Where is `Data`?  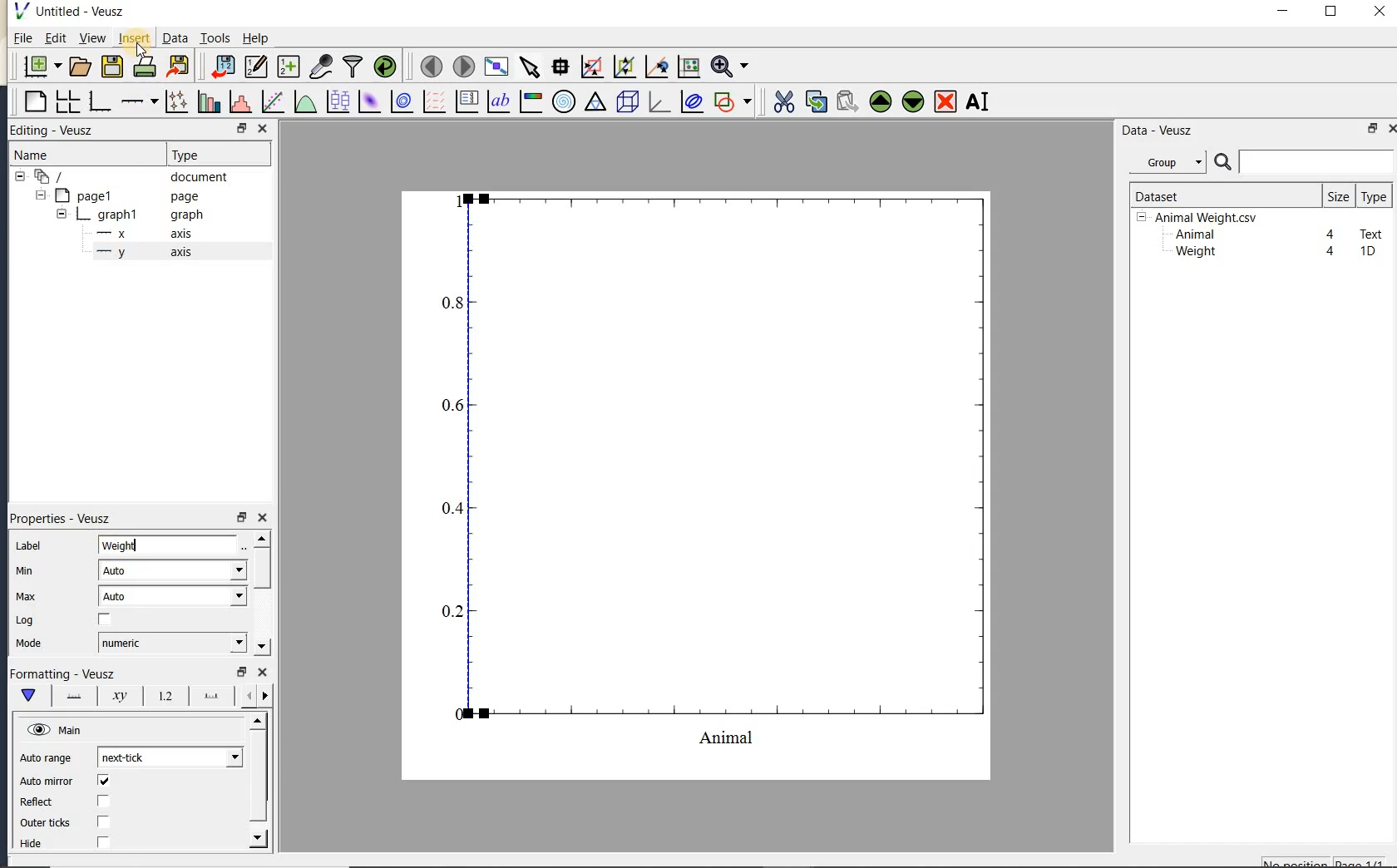 Data is located at coordinates (175, 37).